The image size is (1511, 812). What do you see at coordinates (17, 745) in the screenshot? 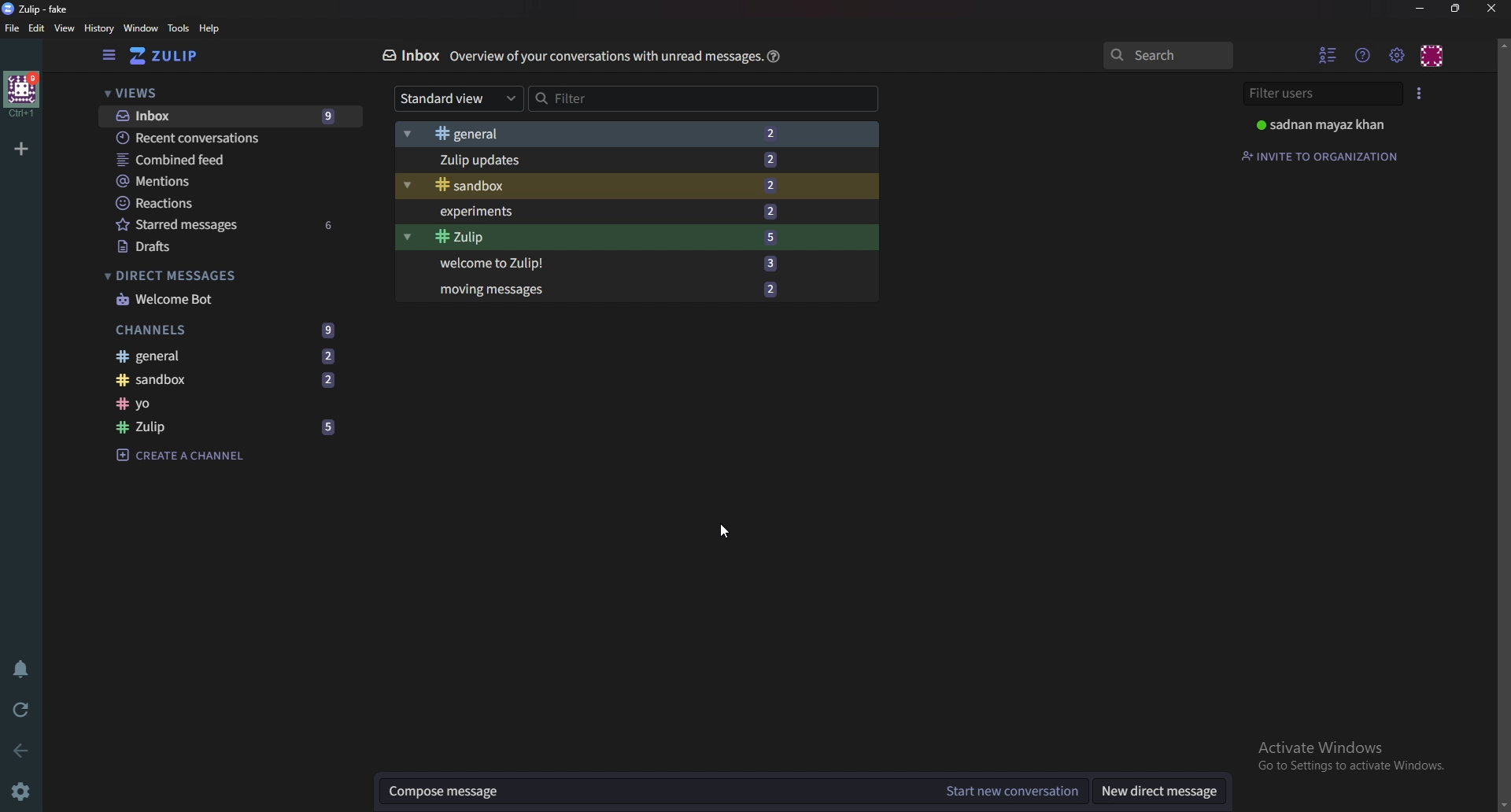
I see `Back` at bounding box center [17, 745].